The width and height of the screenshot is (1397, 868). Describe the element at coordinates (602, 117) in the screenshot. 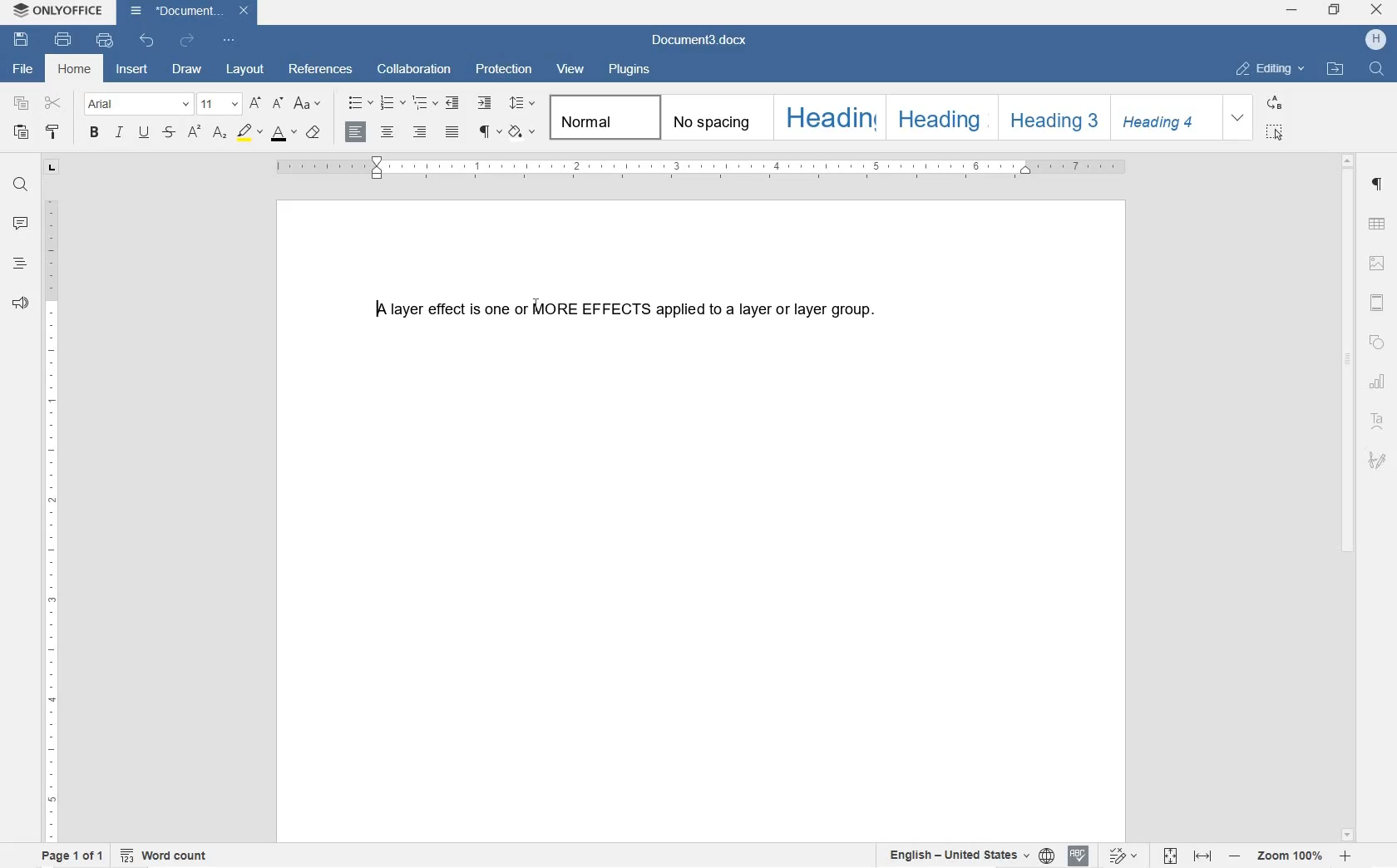

I see `NORMAL` at that location.